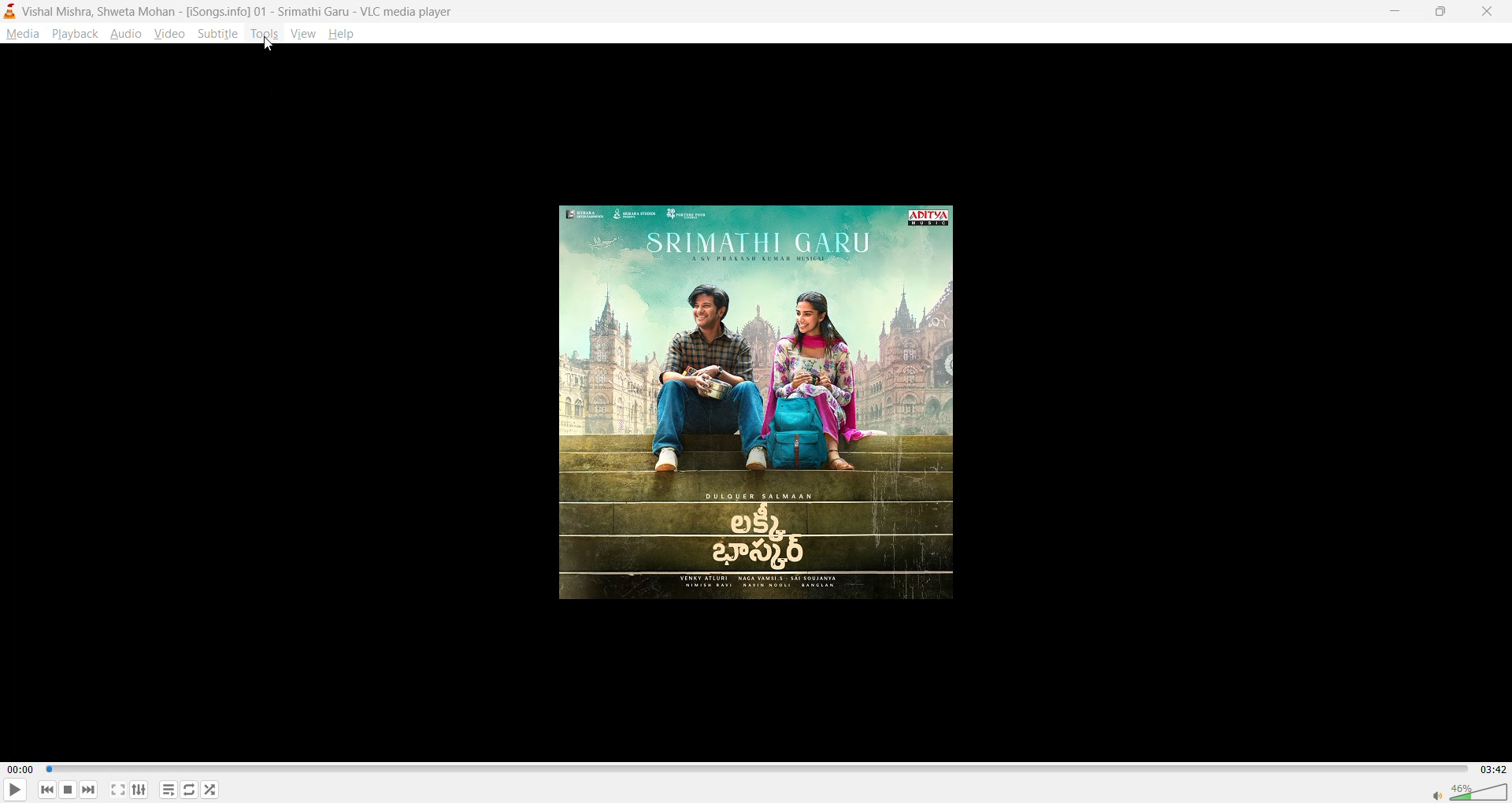 This screenshot has height=803, width=1512. Describe the element at coordinates (87, 787) in the screenshot. I see `next` at that location.